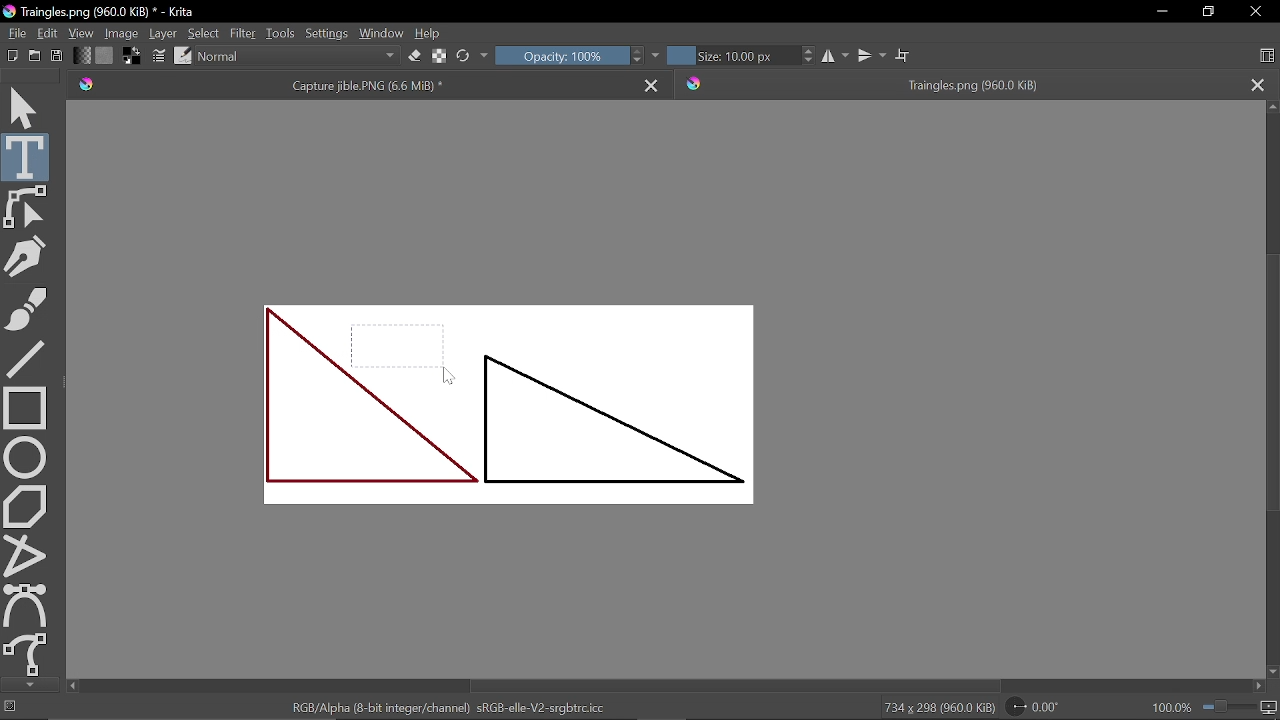 The image size is (1280, 720). I want to click on Bezier curve tool, so click(27, 605).